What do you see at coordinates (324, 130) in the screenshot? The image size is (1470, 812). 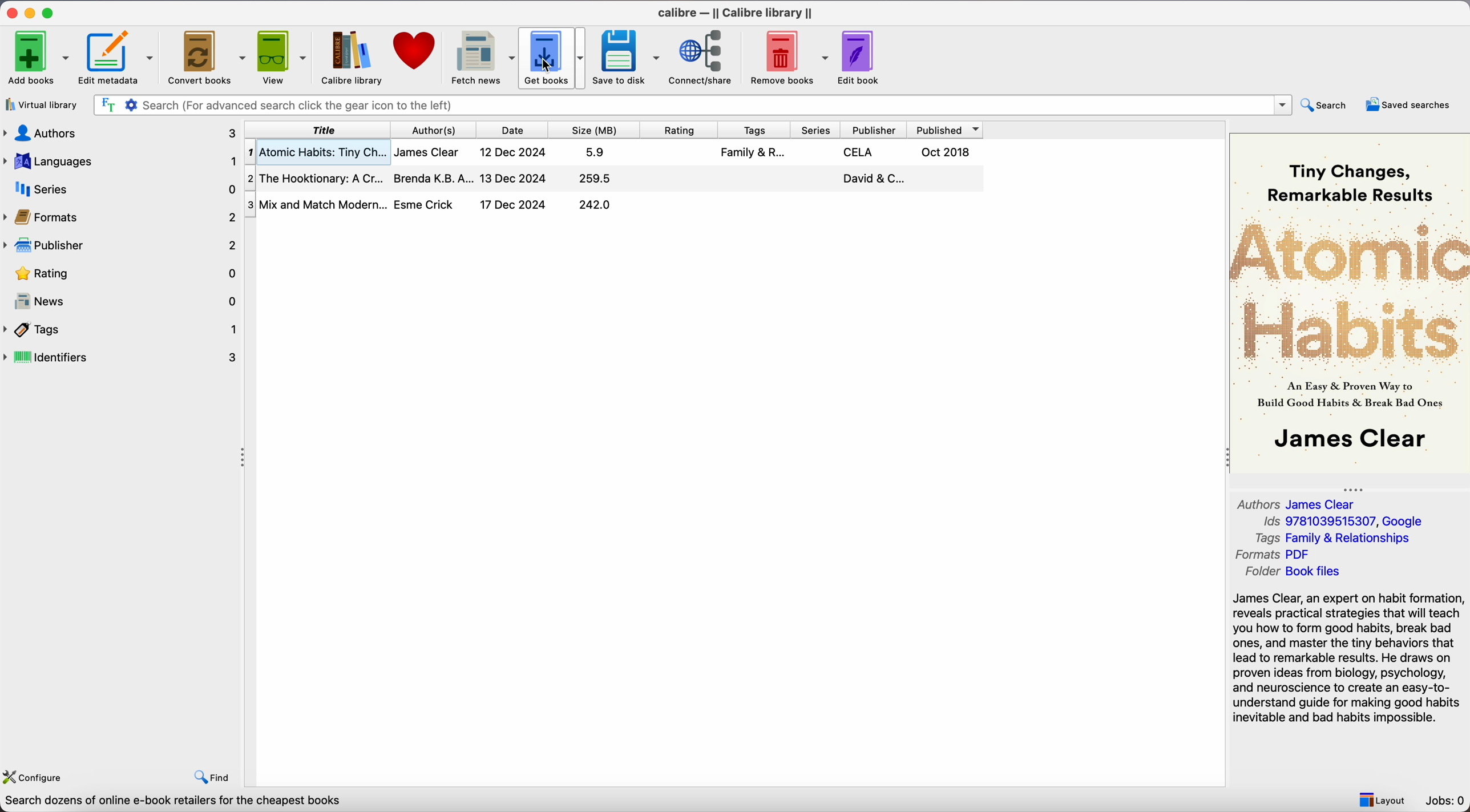 I see `title` at bounding box center [324, 130].